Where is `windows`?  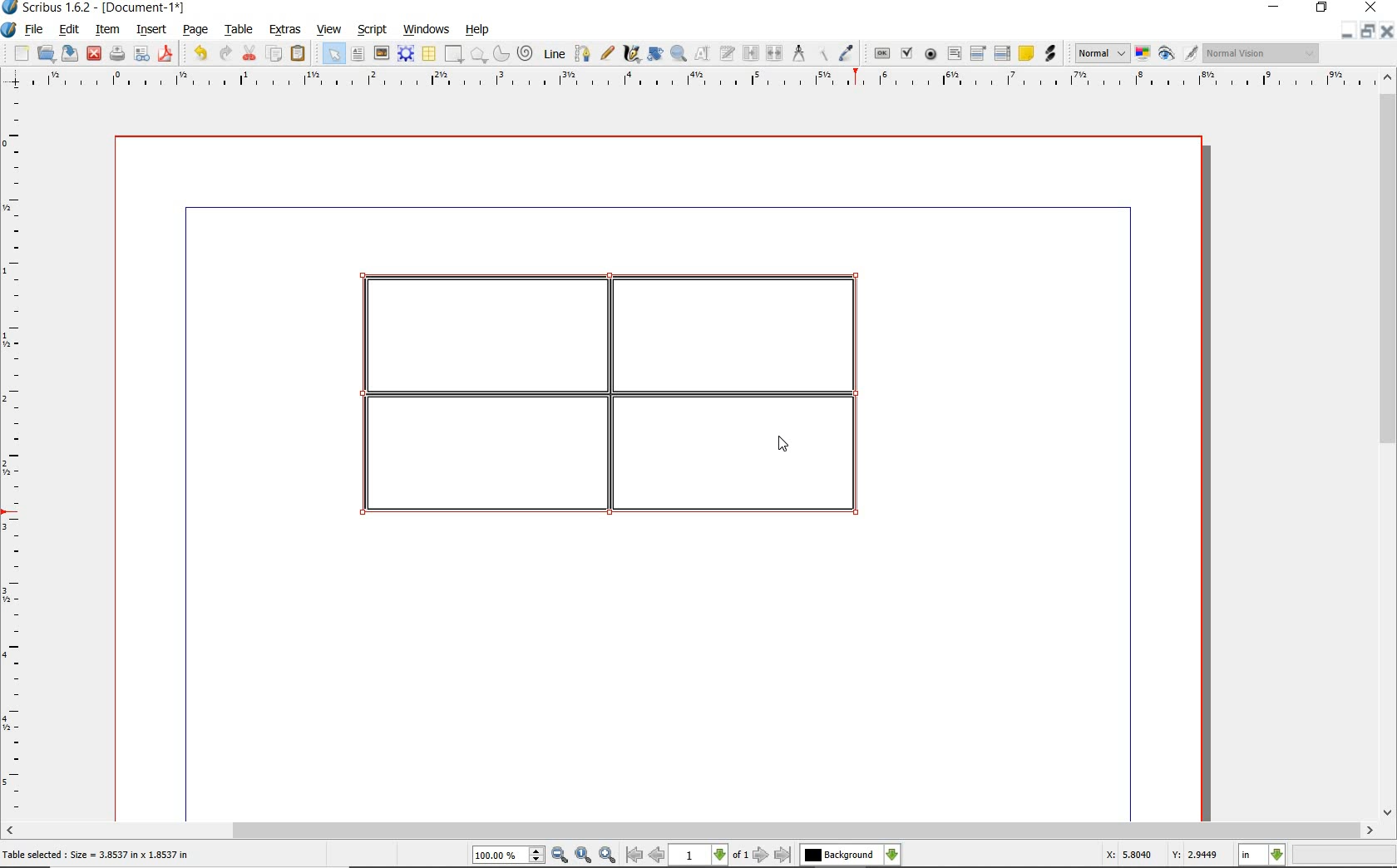 windows is located at coordinates (426, 30).